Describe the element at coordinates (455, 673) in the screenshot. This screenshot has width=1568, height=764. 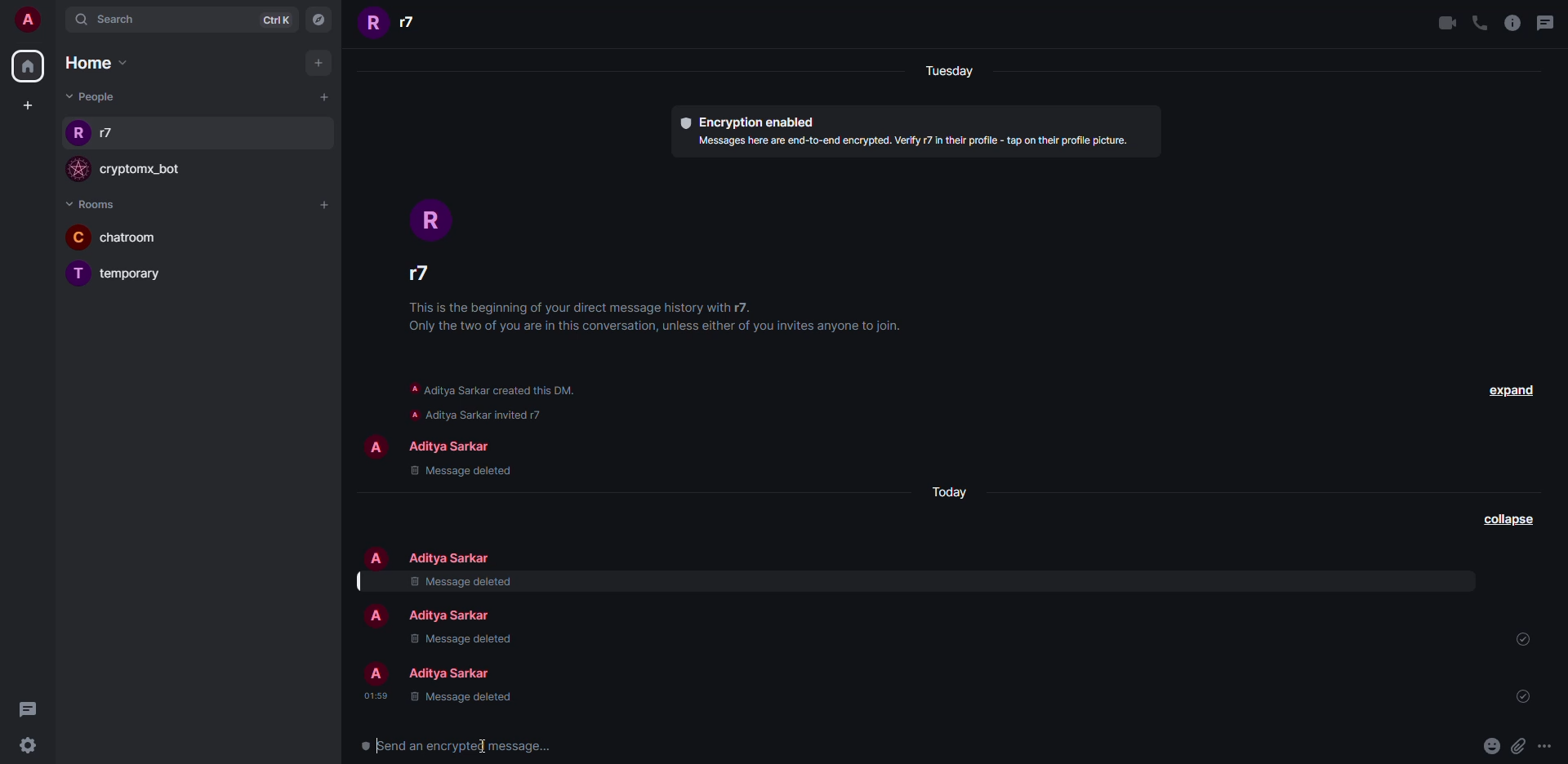
I see `people` at that location.